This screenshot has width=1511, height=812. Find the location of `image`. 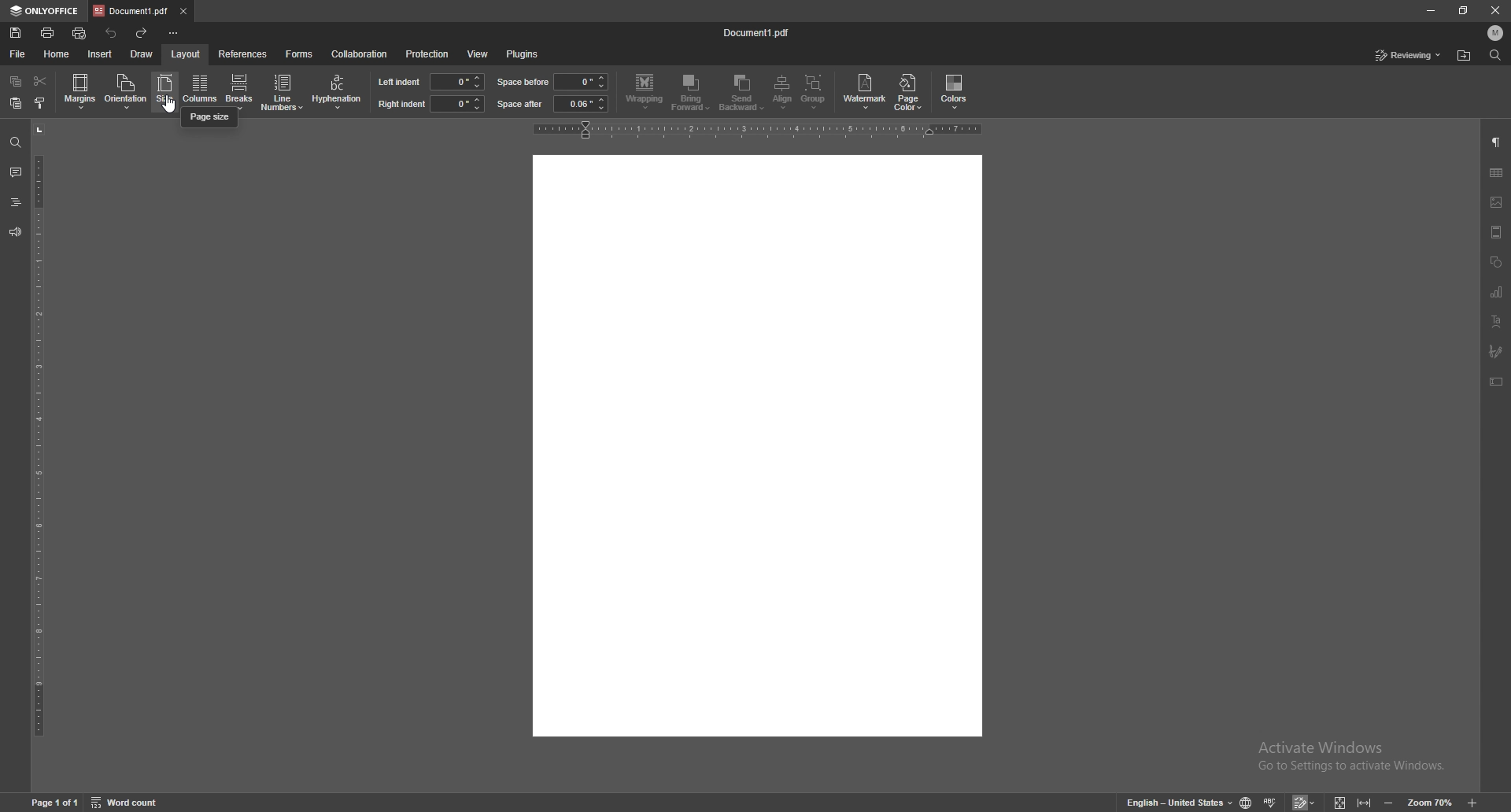

image is located at coordinates (1496, 202).